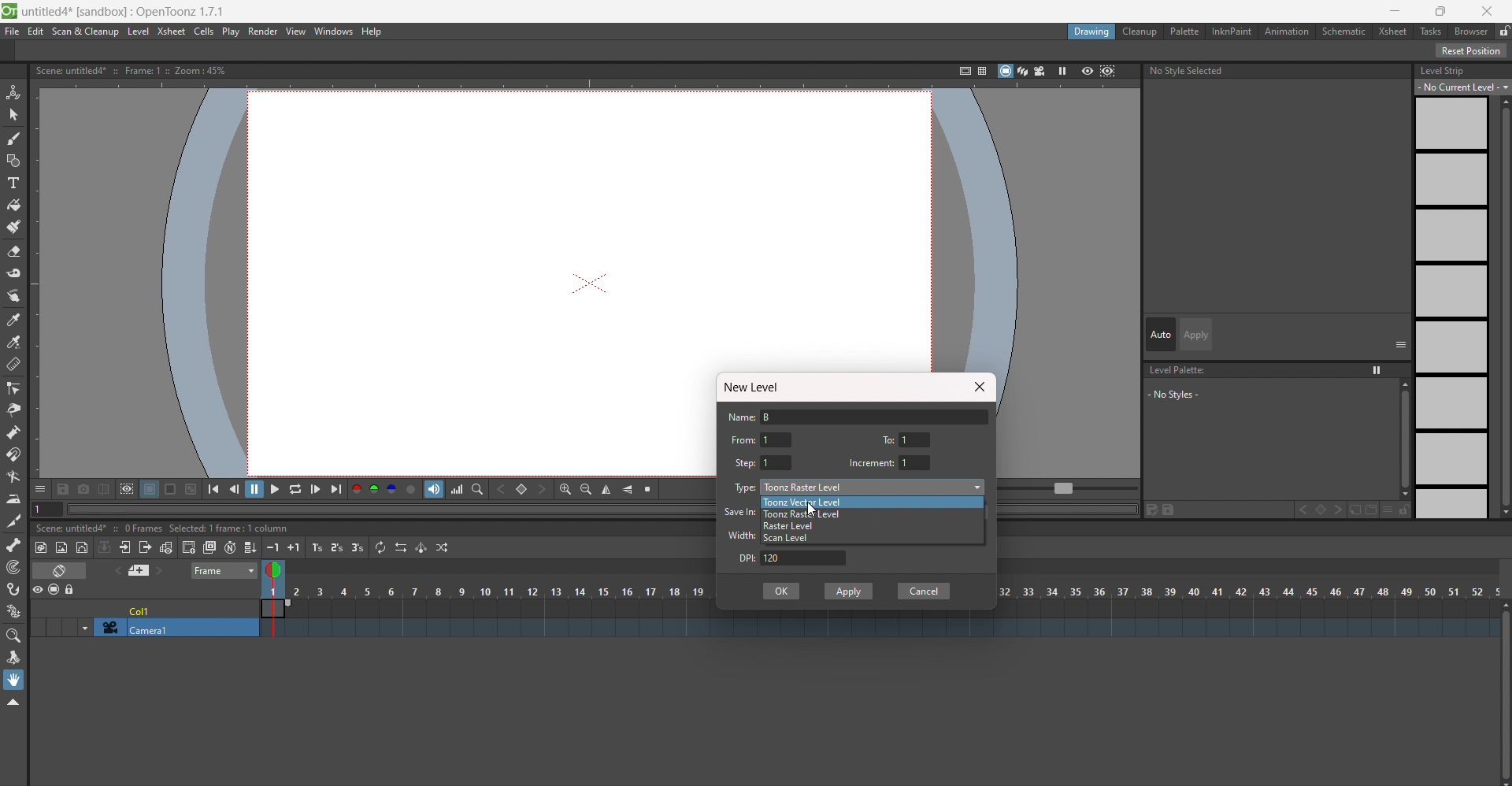  What do you see at coordinates (756, 387) in the screenshot?
I see `new level` at bounding box center [756, 387].